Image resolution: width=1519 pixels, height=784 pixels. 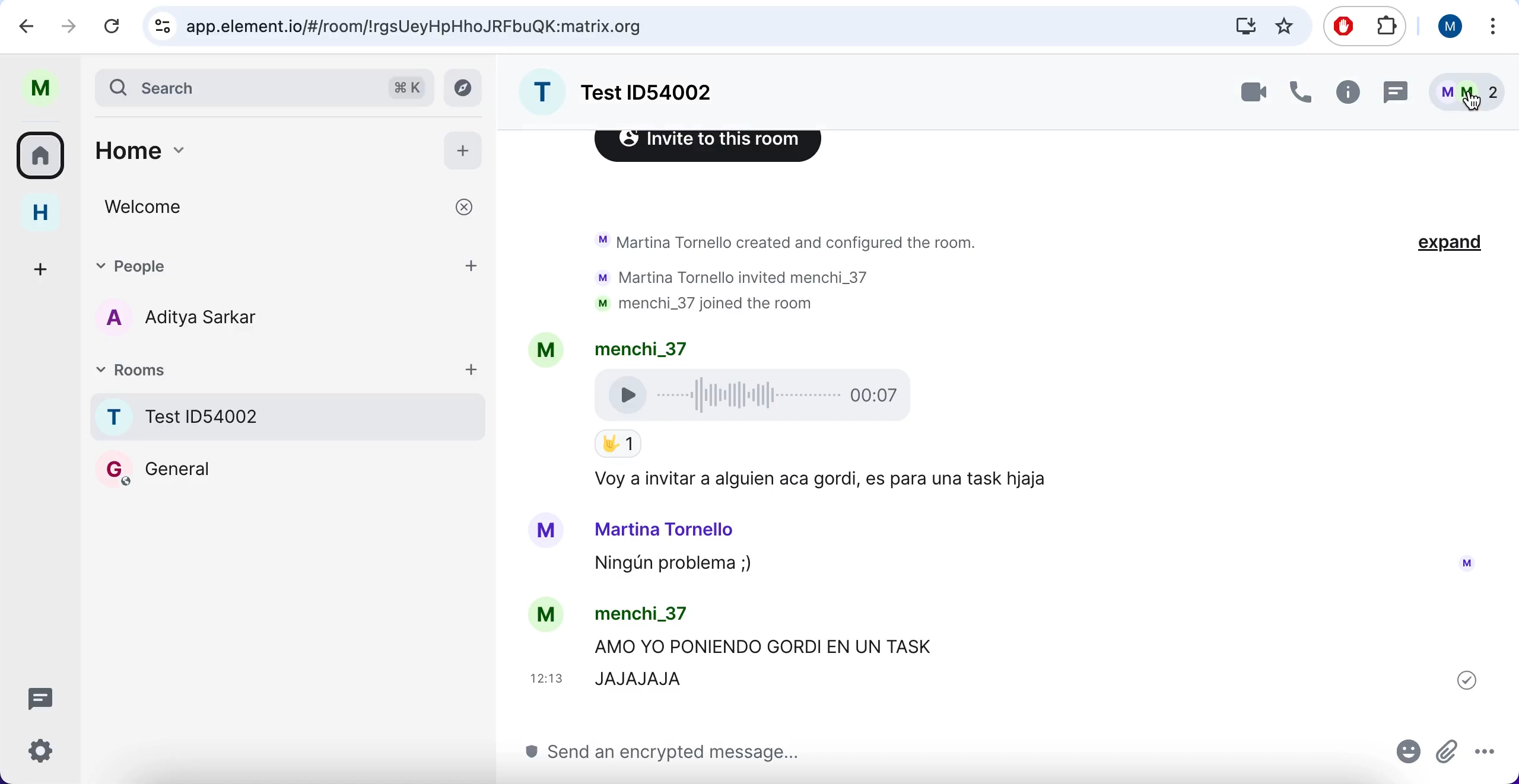 I want to click on options, so click(x=1485, y=757).